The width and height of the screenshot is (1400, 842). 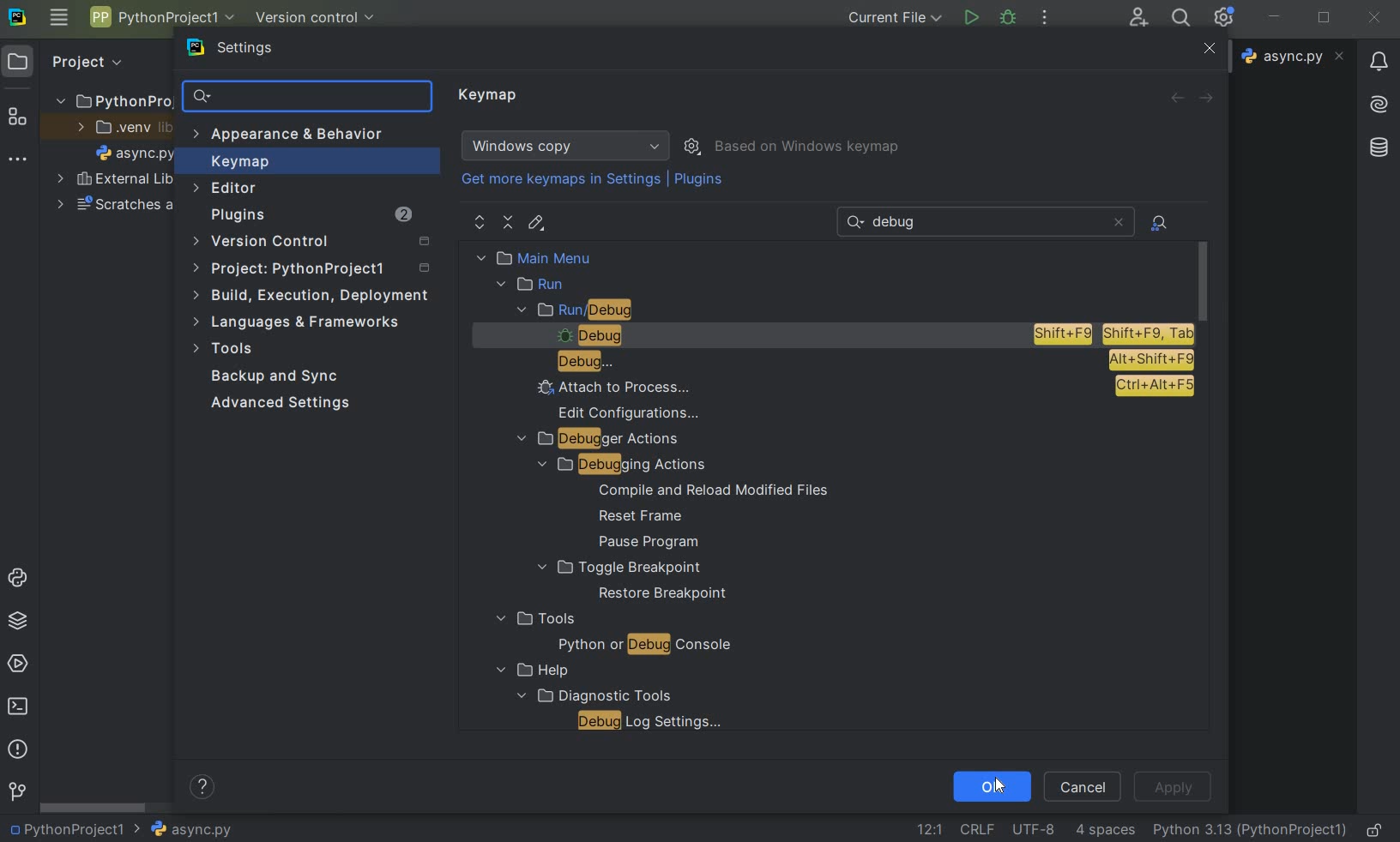 I want to click on ok, so click(x=991, y=785).